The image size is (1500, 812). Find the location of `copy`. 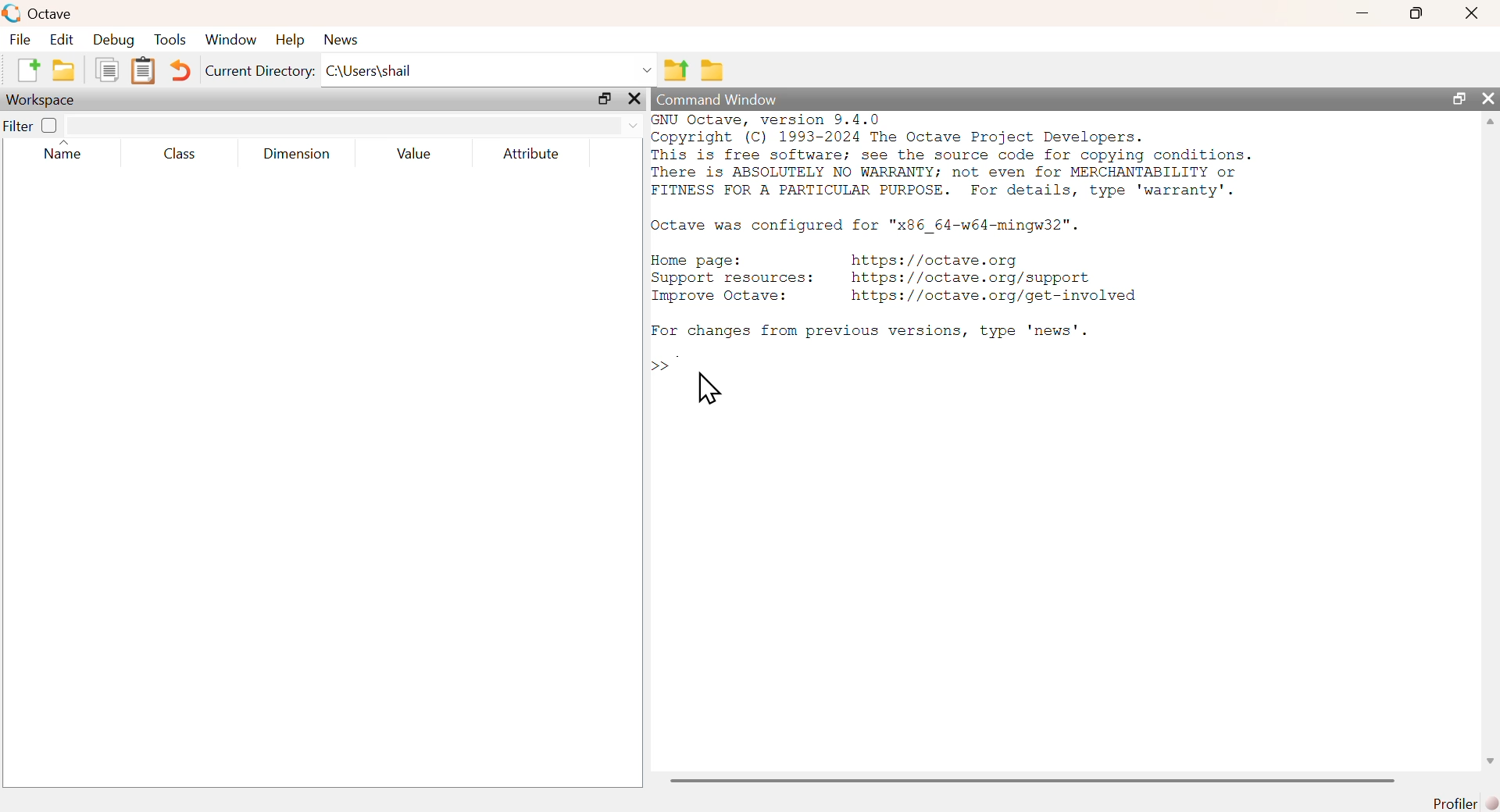

copy is located at coordinates (105, 69).